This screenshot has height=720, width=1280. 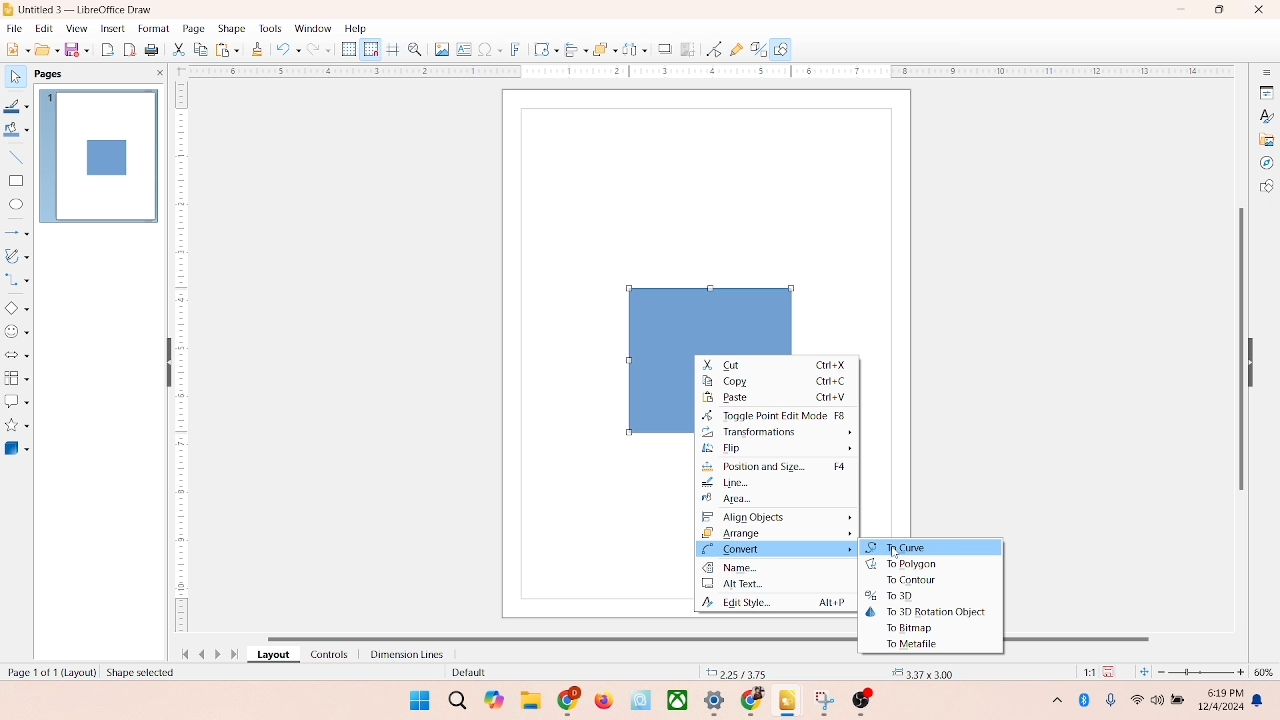 What do you see at coordinates (154, 51) in the screenshot?
I see `print` at bounding box center [154, 51].